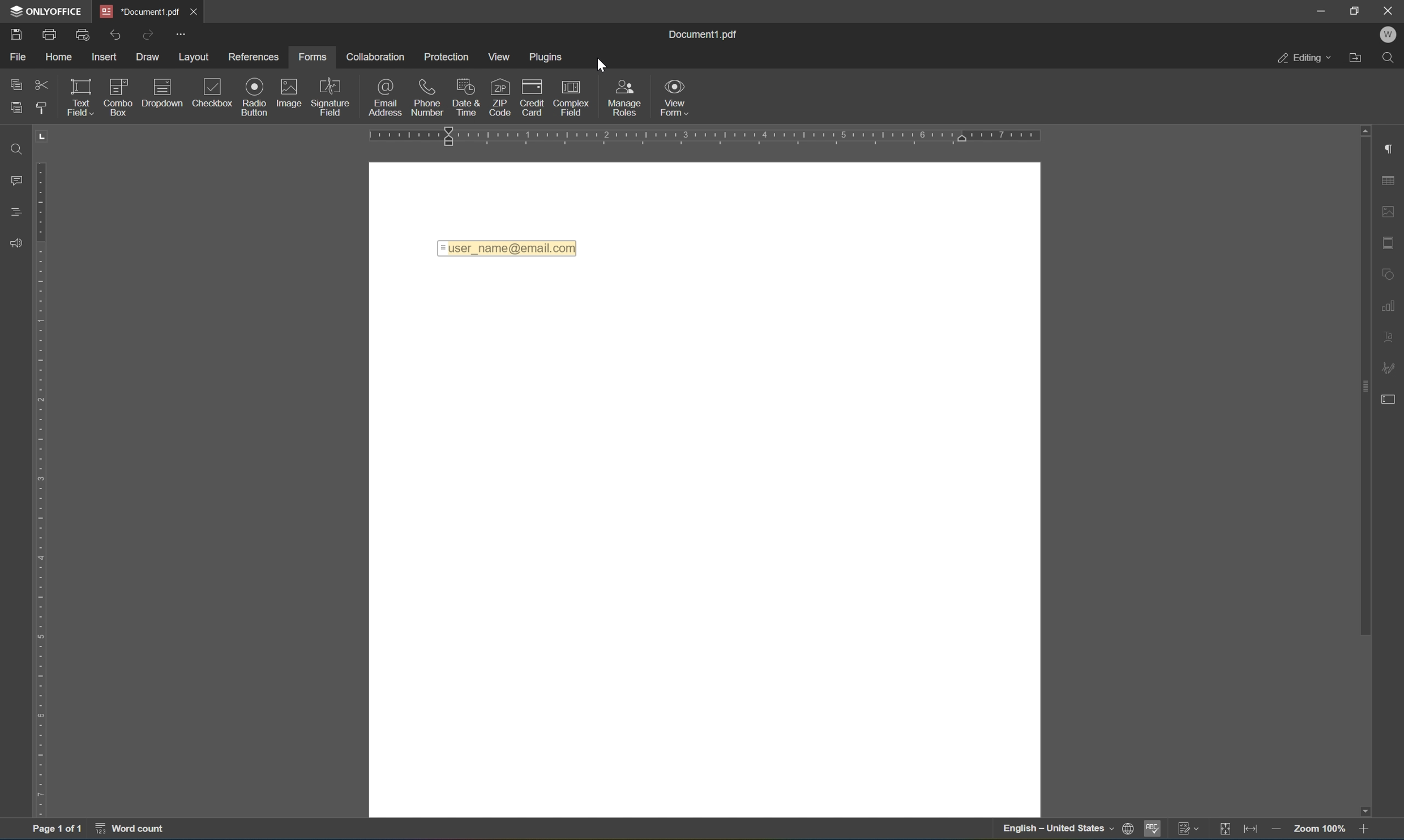  What do you see at coordinates (1391, 176) in the screenshot?
I see `table settings` at bounding box center [1391, 176].